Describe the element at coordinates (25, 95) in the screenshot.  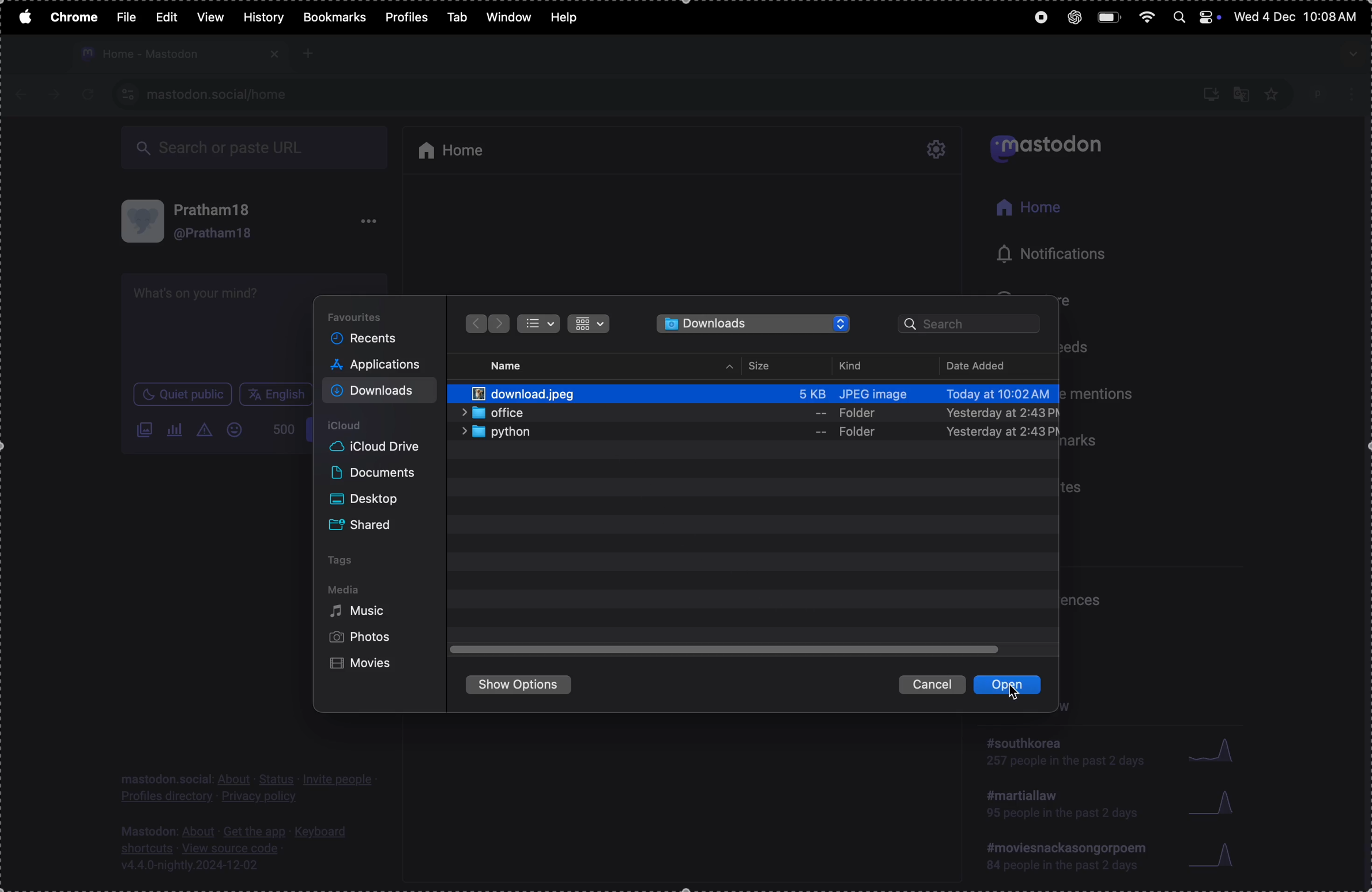
I see `previous tab` at that location.